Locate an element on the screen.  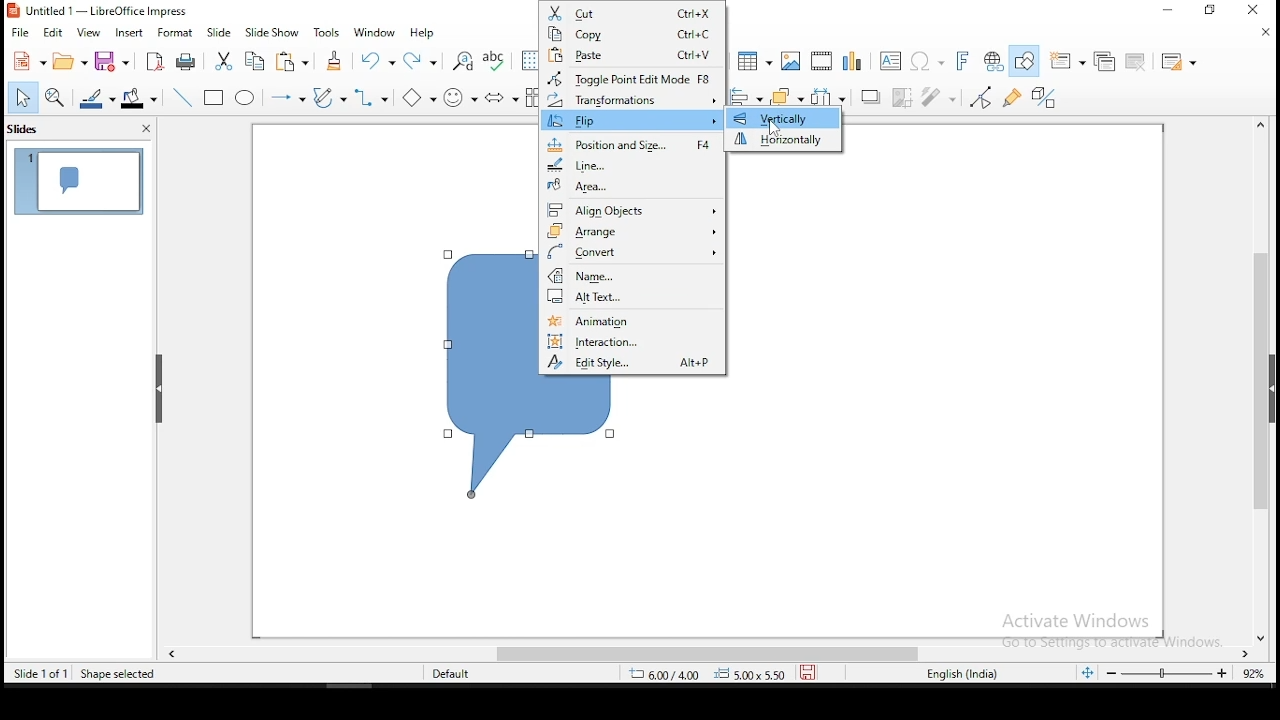
0.00x0.00 is located at coordinates (752, 675).